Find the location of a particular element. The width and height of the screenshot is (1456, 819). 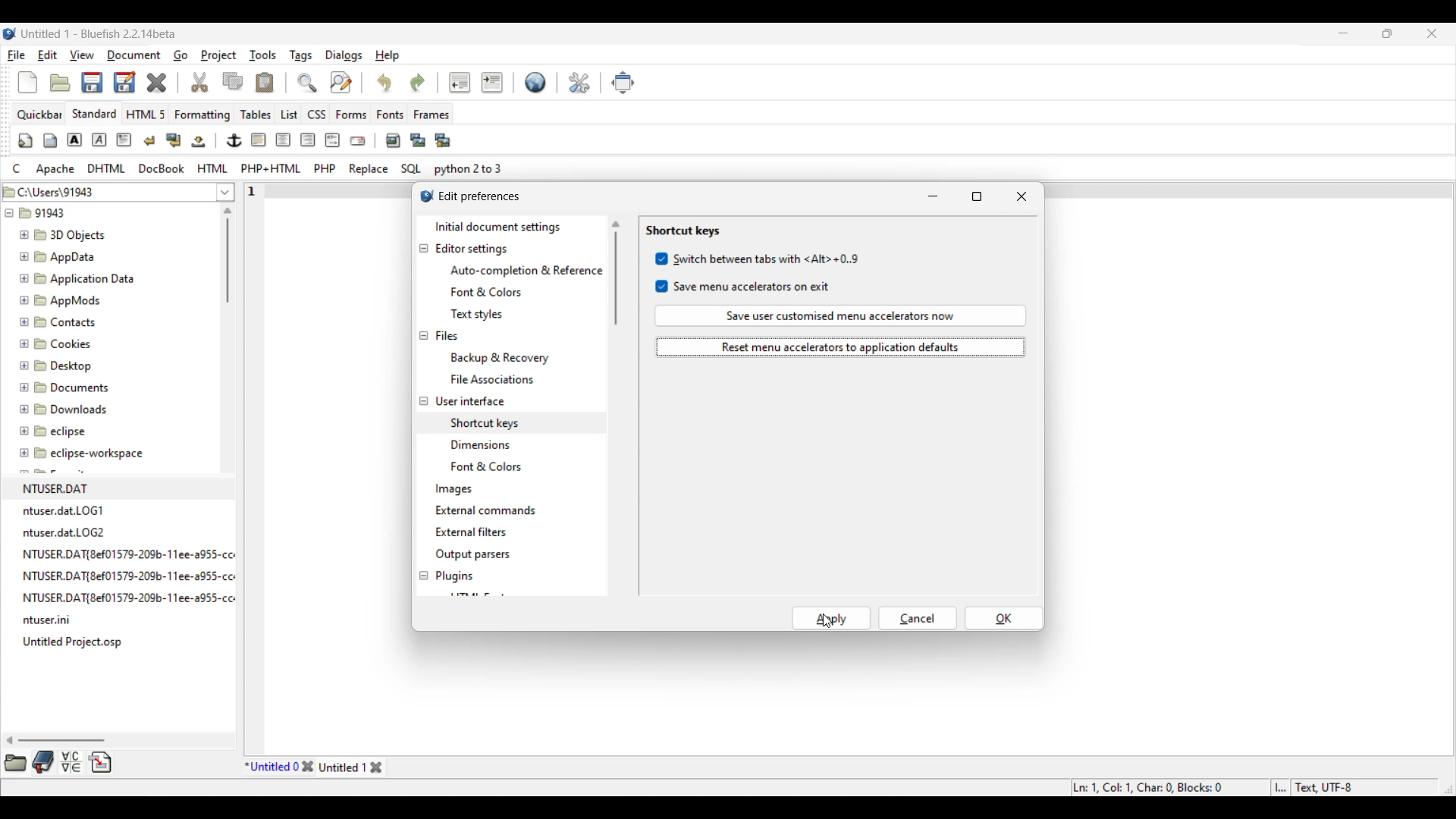

Application Data is located at coordinates (77, 276).